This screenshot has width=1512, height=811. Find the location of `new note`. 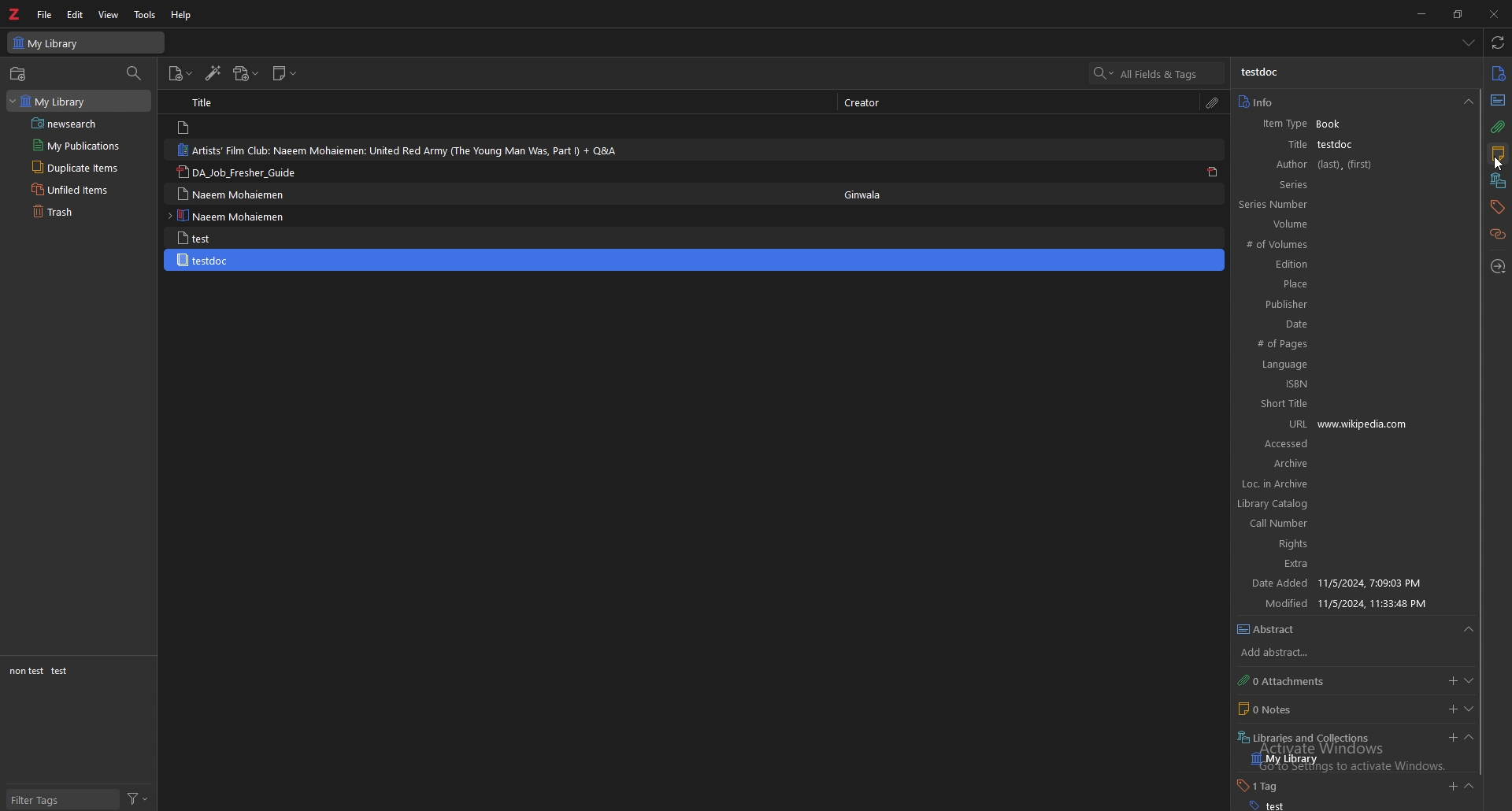

new note is located at coordinates (286, 74).